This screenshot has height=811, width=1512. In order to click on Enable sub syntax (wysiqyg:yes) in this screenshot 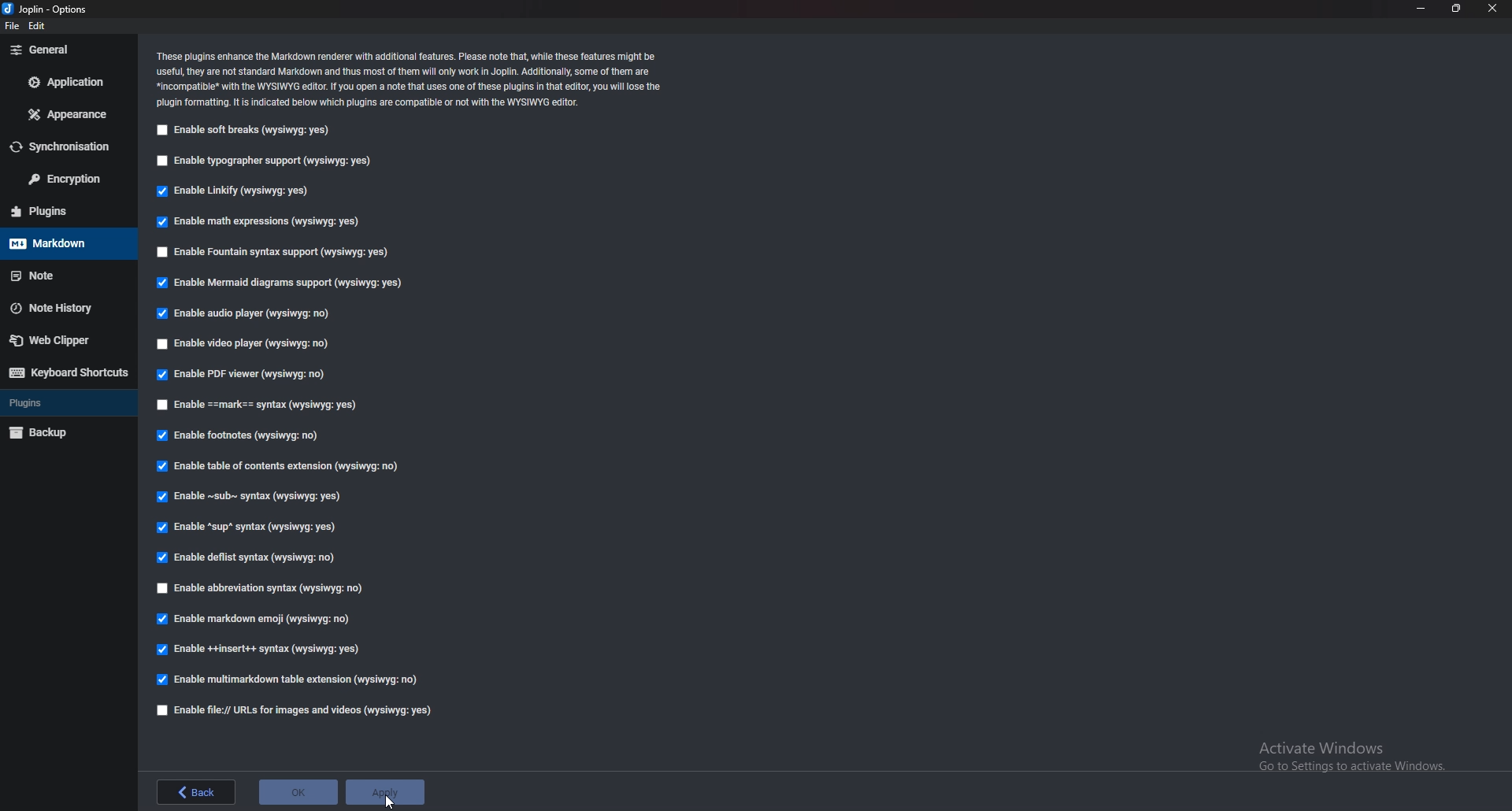, I will do `click(252, 498)`.